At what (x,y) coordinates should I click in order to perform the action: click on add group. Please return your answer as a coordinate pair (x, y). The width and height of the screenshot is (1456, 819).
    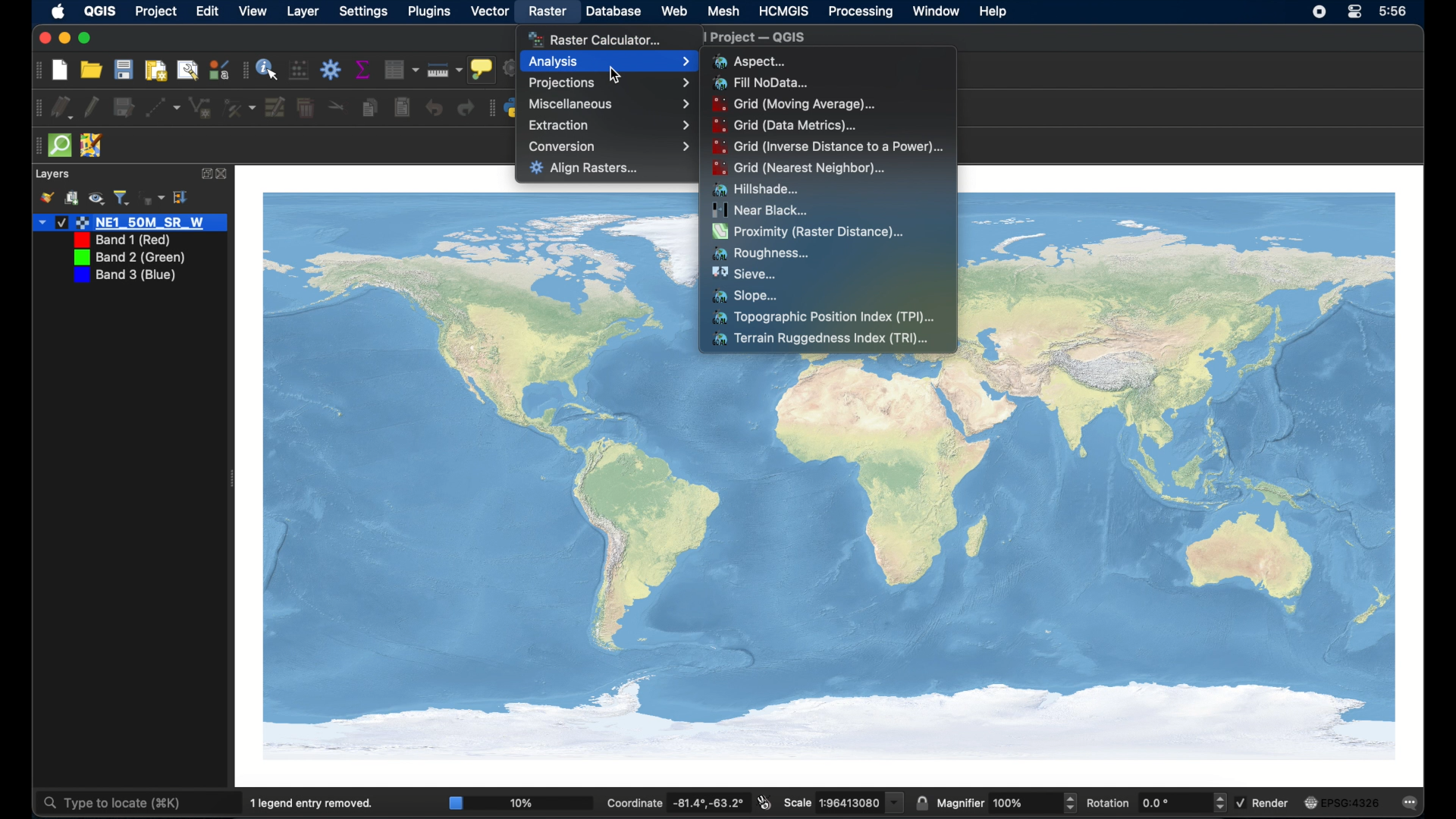
    Looking at the image, I should click on (72, 197).